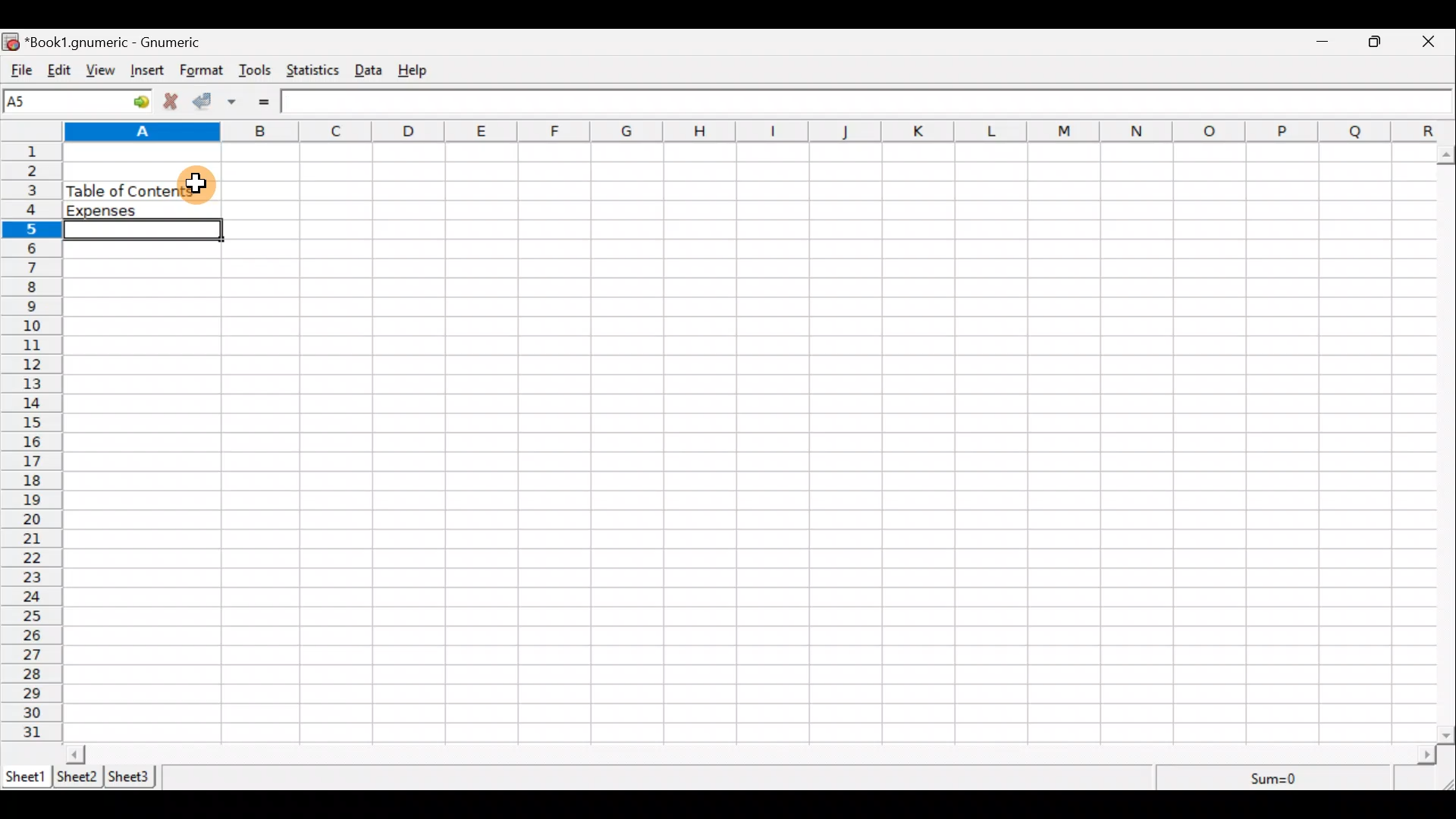 This screenshot has height=819, width=1456. Describe the element at coordinates (836, 441) in the screenshot. I see `Cells` at that location.